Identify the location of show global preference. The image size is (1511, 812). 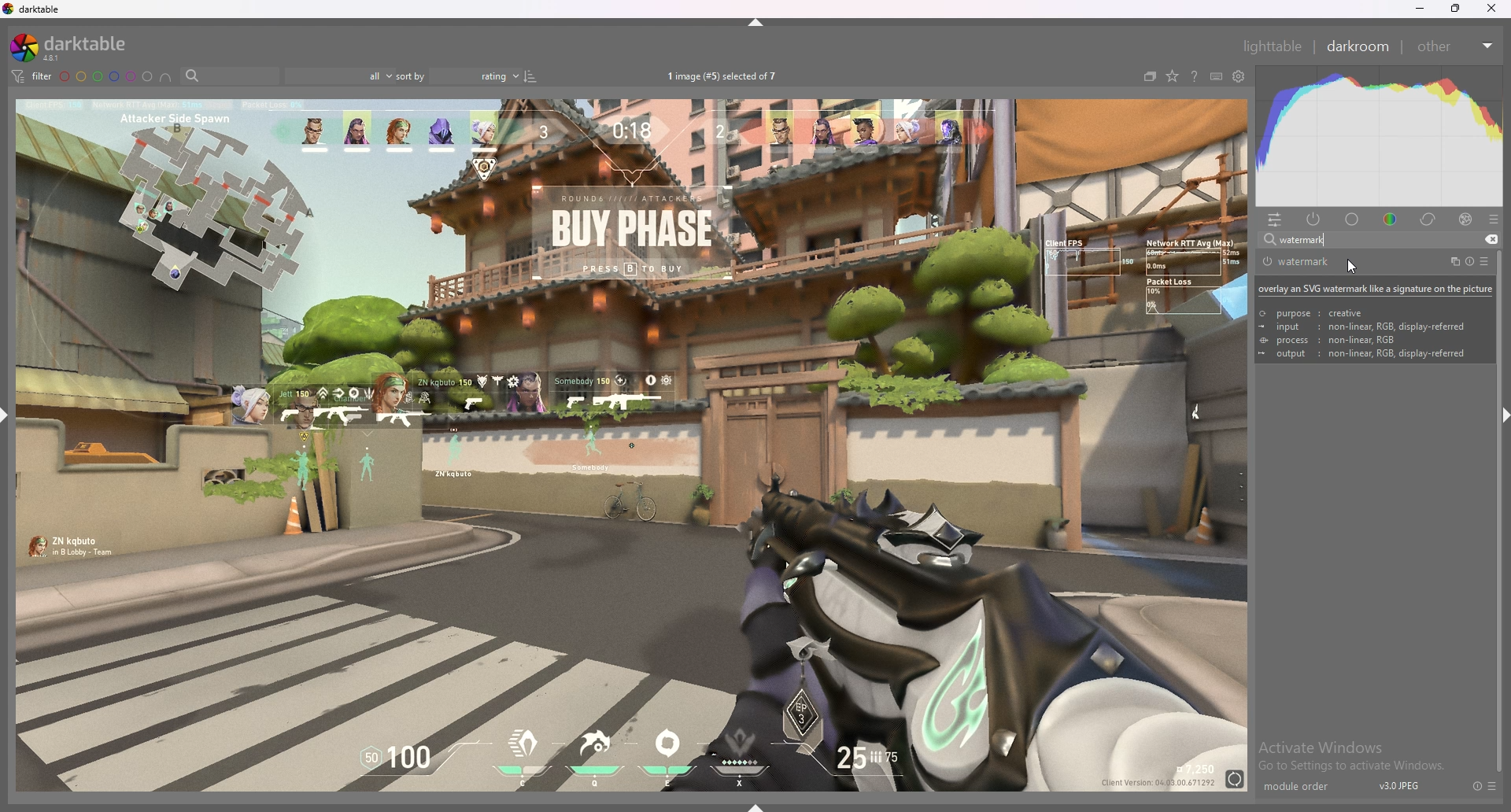
(1239, 77).